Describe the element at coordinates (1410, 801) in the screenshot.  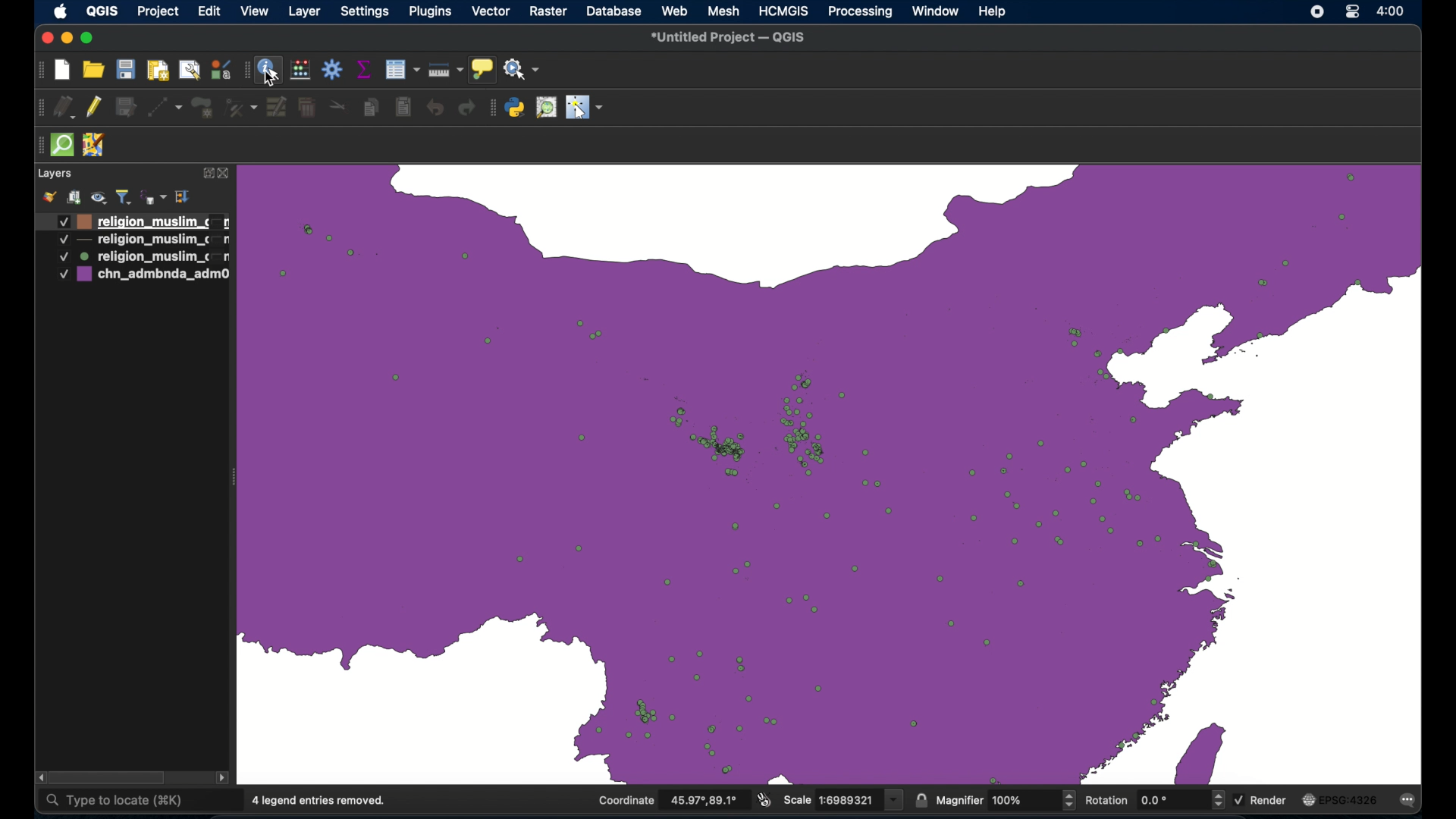
I see `messages` at that location.